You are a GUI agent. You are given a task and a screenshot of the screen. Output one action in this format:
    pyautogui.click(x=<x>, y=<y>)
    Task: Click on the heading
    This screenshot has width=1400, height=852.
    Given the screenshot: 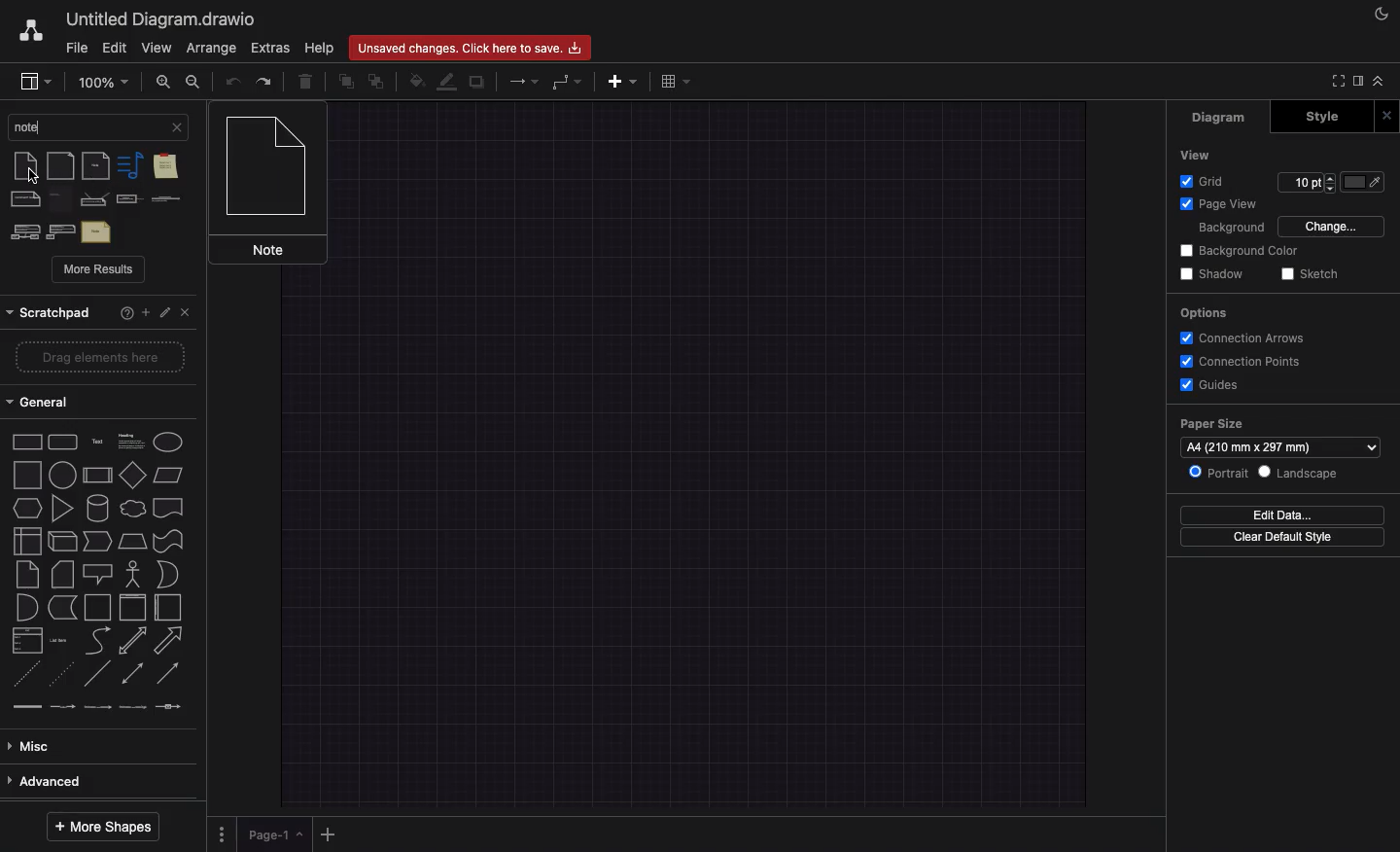 What is the action you would take?
    pyautogui.click(x=130, y=440)
    